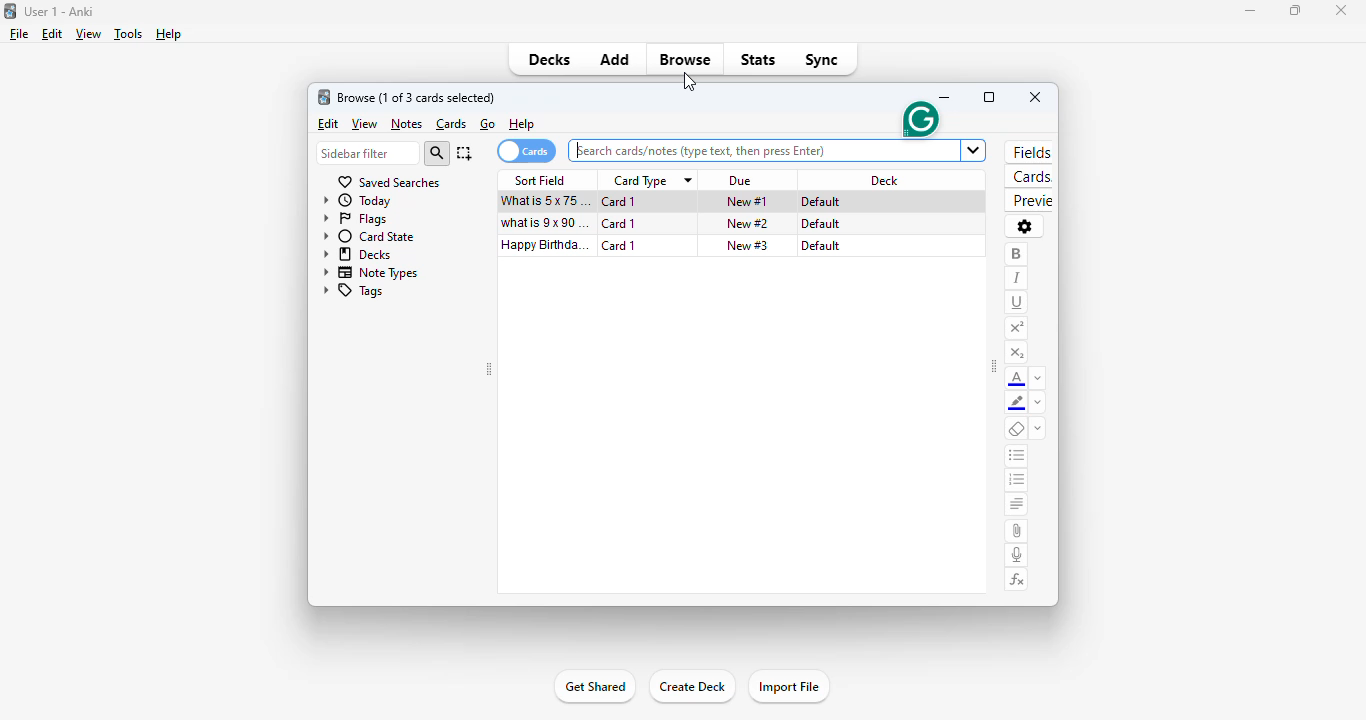 The image size is (1366, 720). Describe the element at coordinates (748, 223) in the screenshot. I see `new #2` at that location.